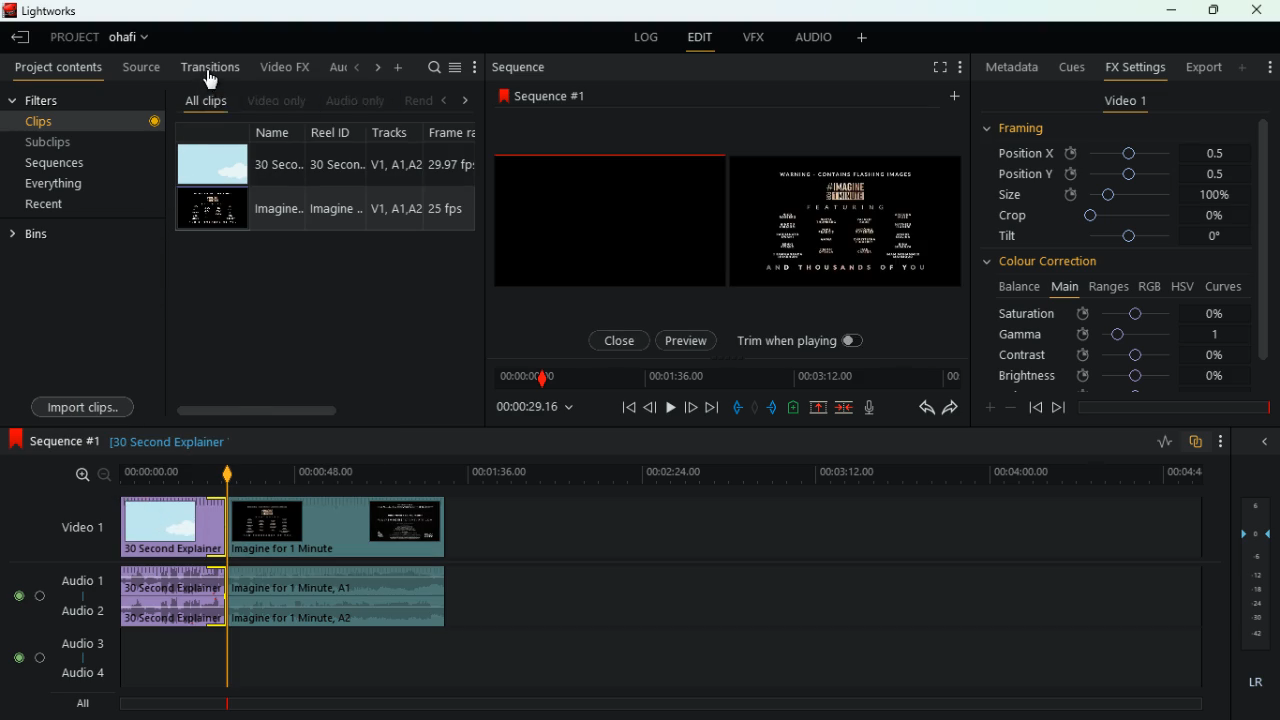  What do you see at coordinates (1113, 377) in the screenshot?
I see `brightness` at bounding box center [1113, 377].